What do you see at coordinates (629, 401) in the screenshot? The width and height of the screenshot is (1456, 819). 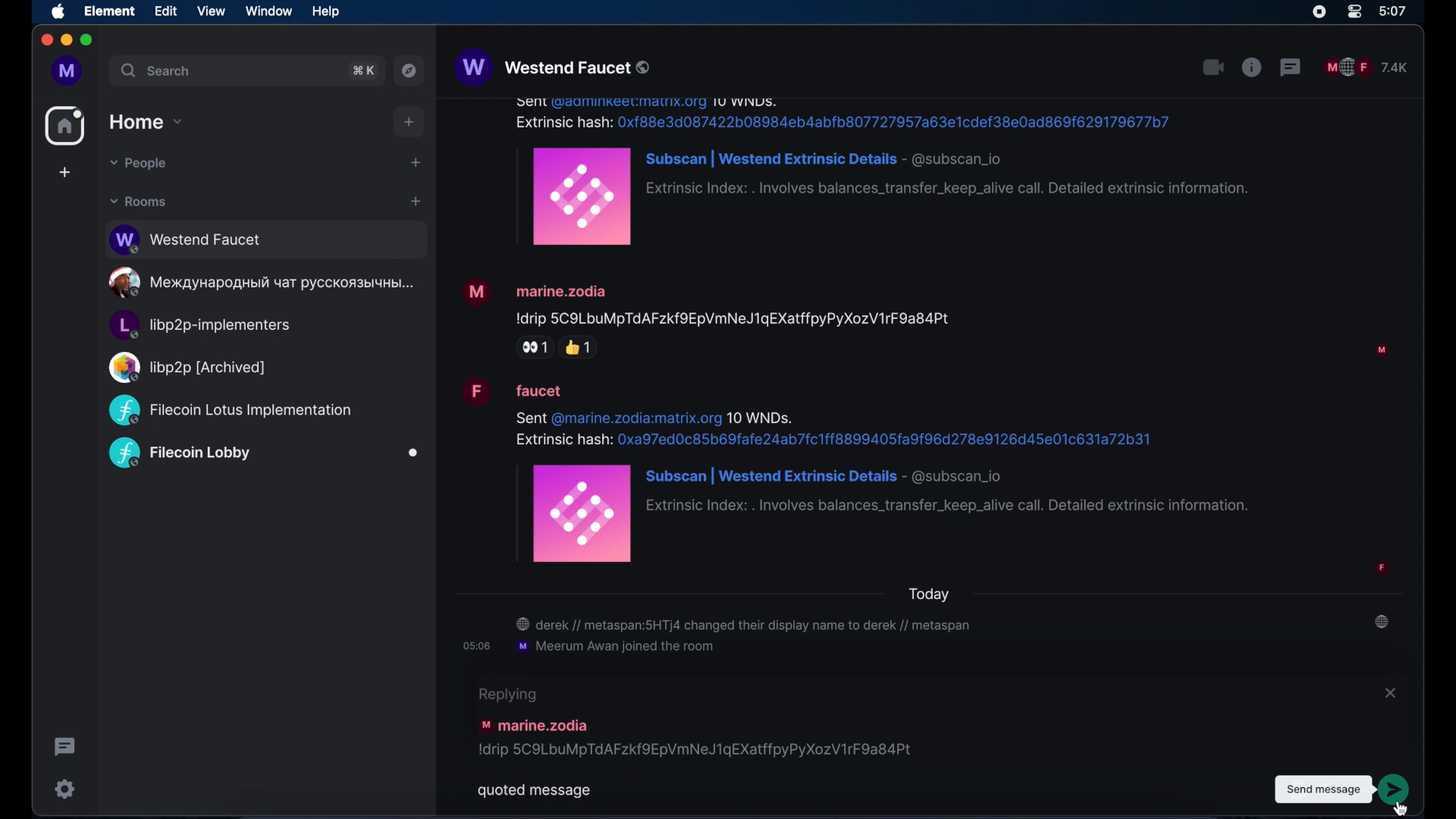 I see `message` at bounding box center [629, 401].